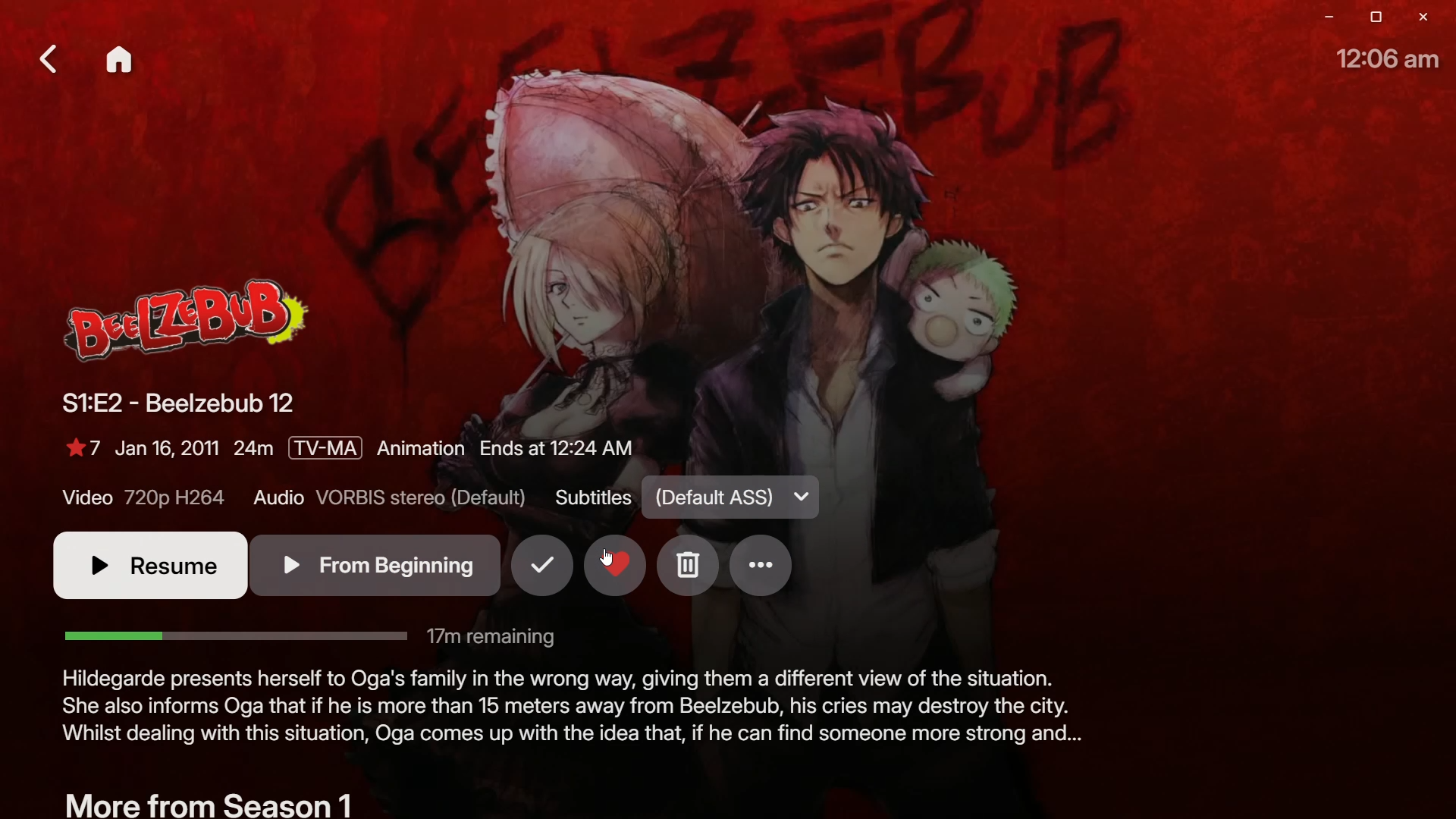 This screenshot has height=819, width=1456. I want to click on Remaining TIme, so click(312, 637).